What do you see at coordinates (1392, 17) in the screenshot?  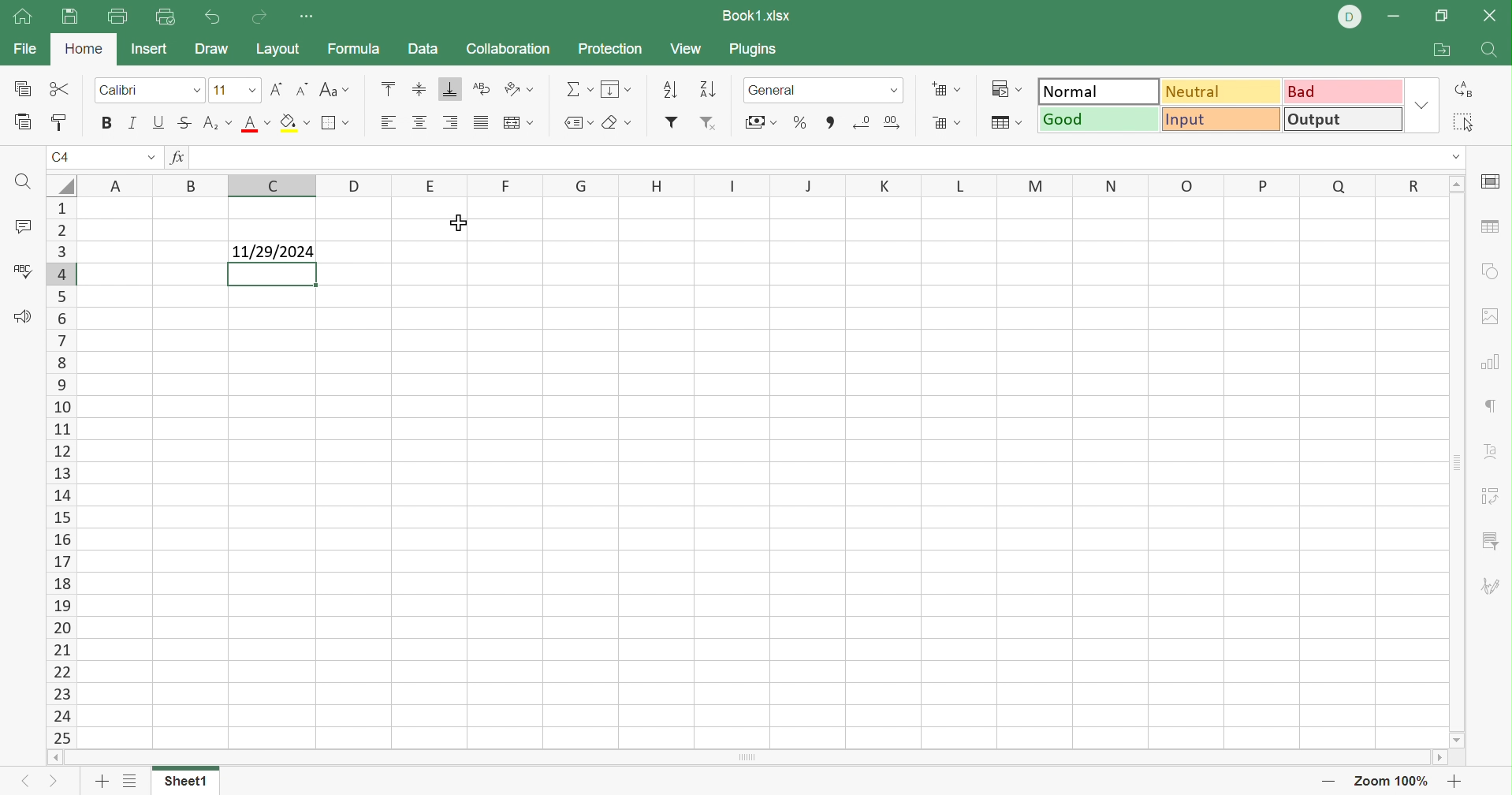 I see `Minimize` at bounding box center [1392, 17].